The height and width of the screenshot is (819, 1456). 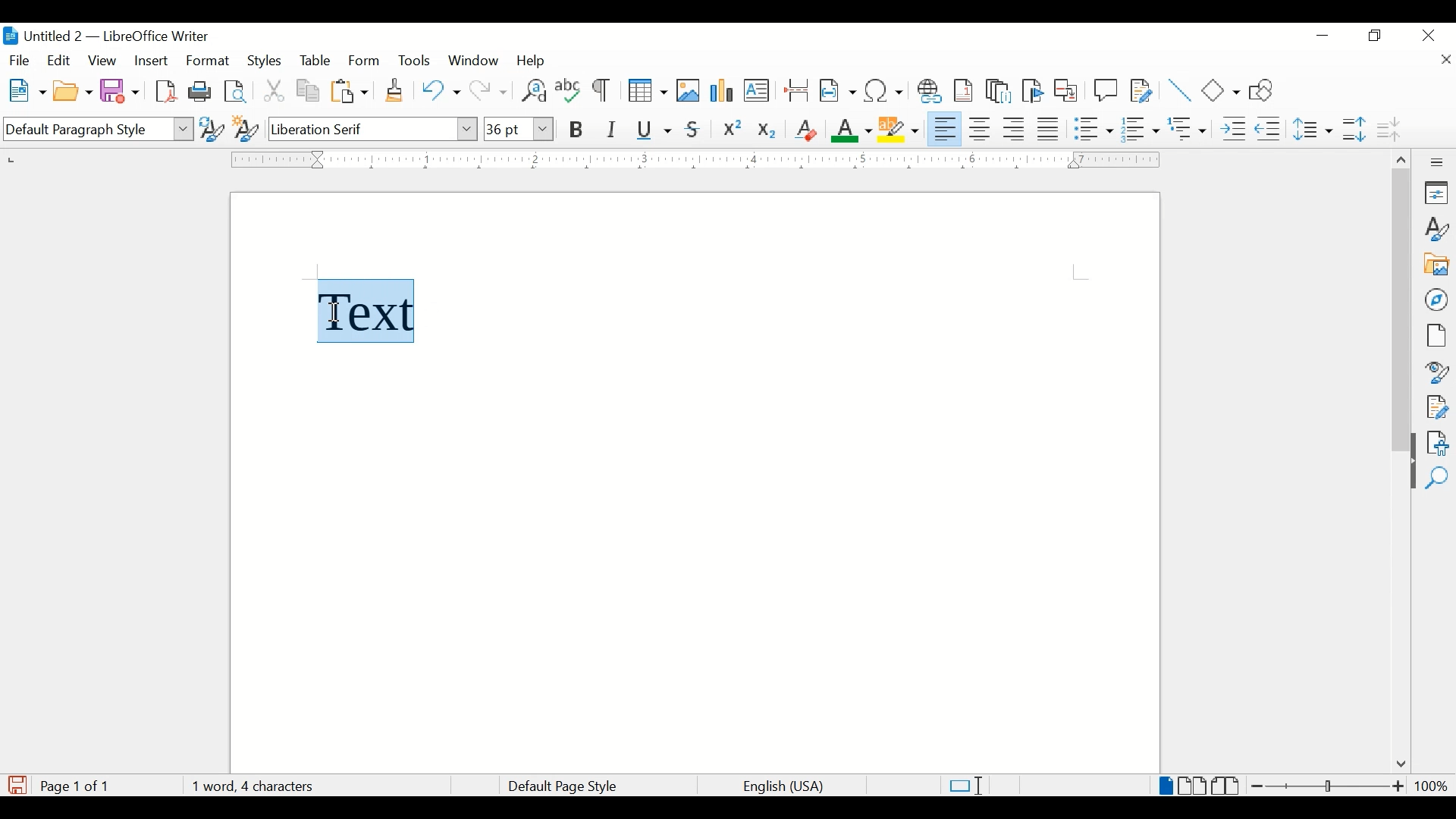 I want to click on toggle unordered list, so click(x=1094, y=128).